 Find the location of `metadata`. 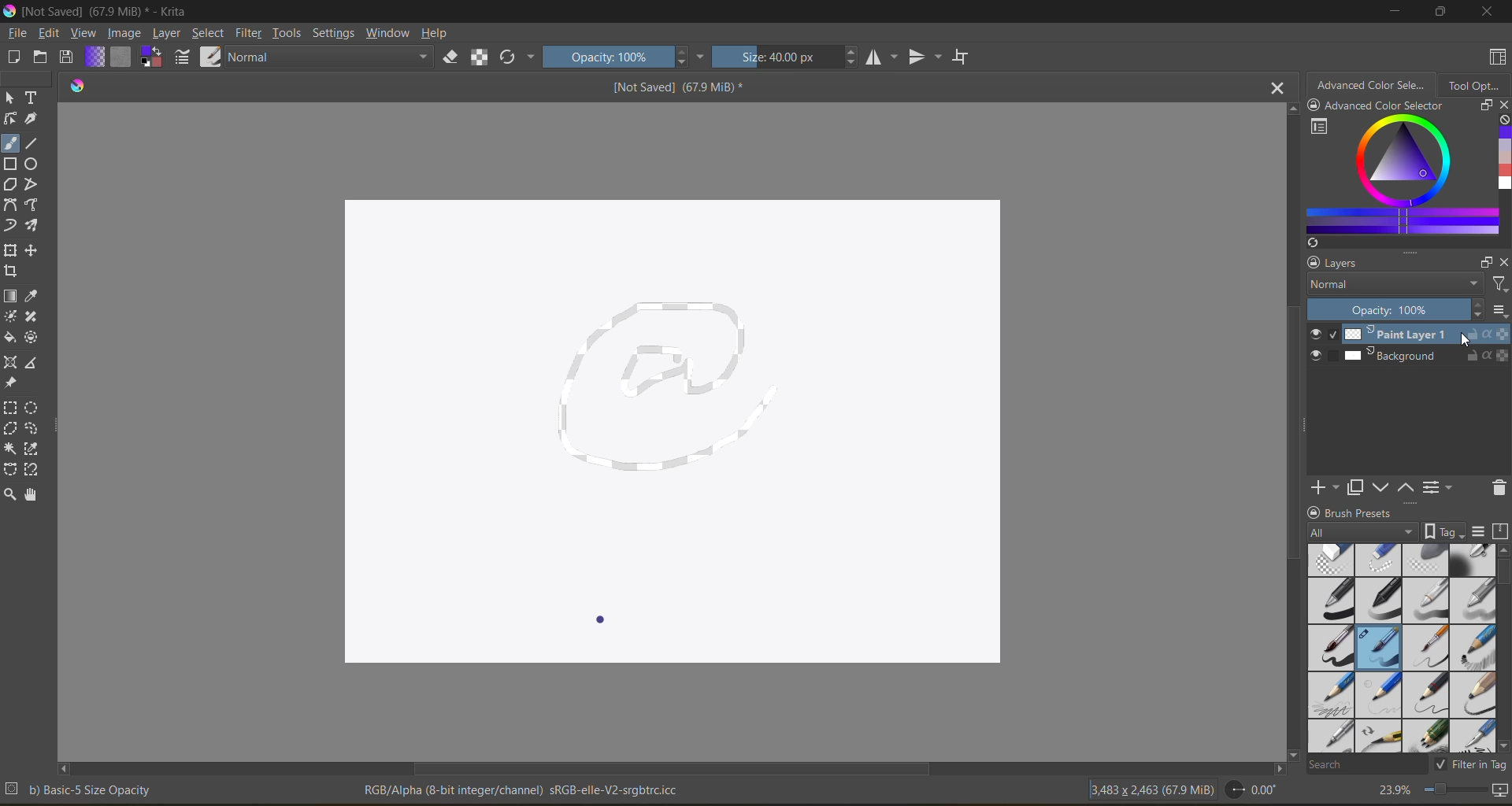

metadata is located at coordinates (522, 793).